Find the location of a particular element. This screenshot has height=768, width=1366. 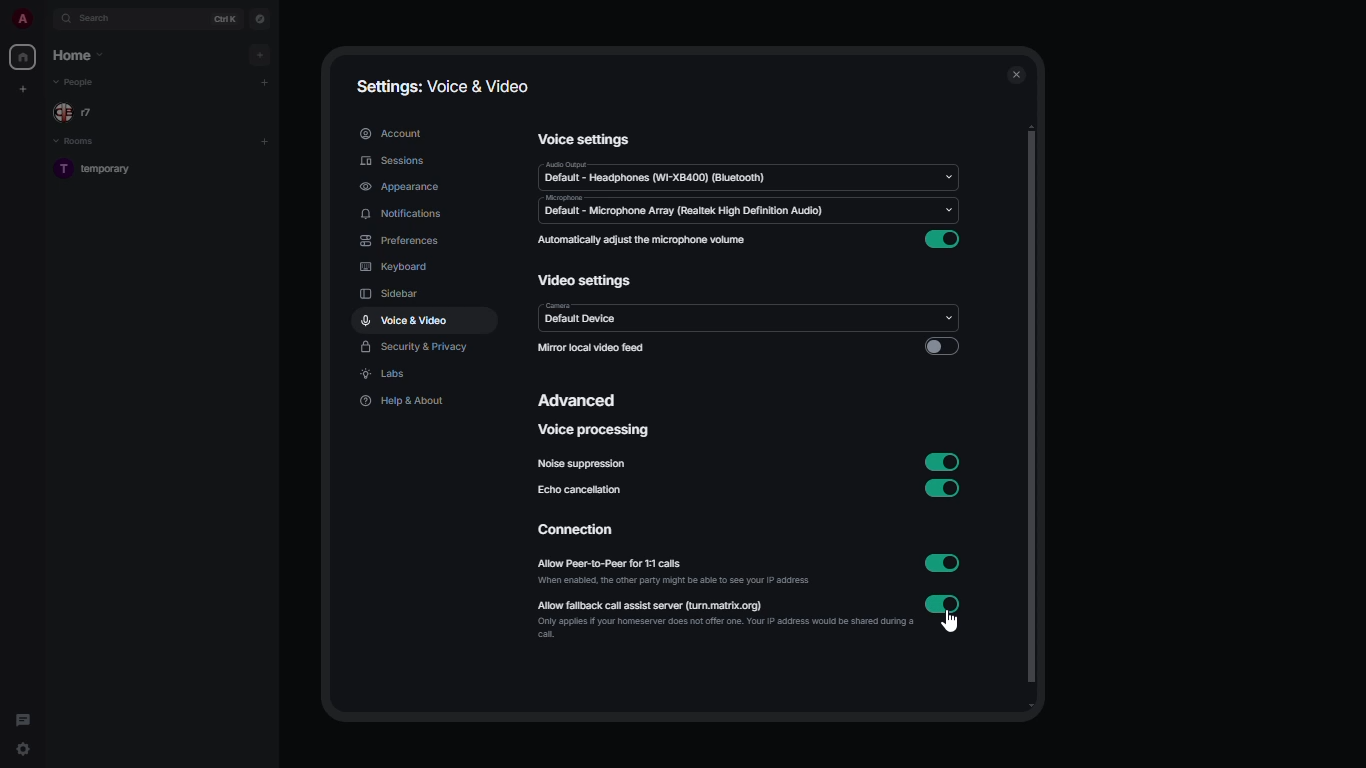

add is located at coordinates (264, 139).